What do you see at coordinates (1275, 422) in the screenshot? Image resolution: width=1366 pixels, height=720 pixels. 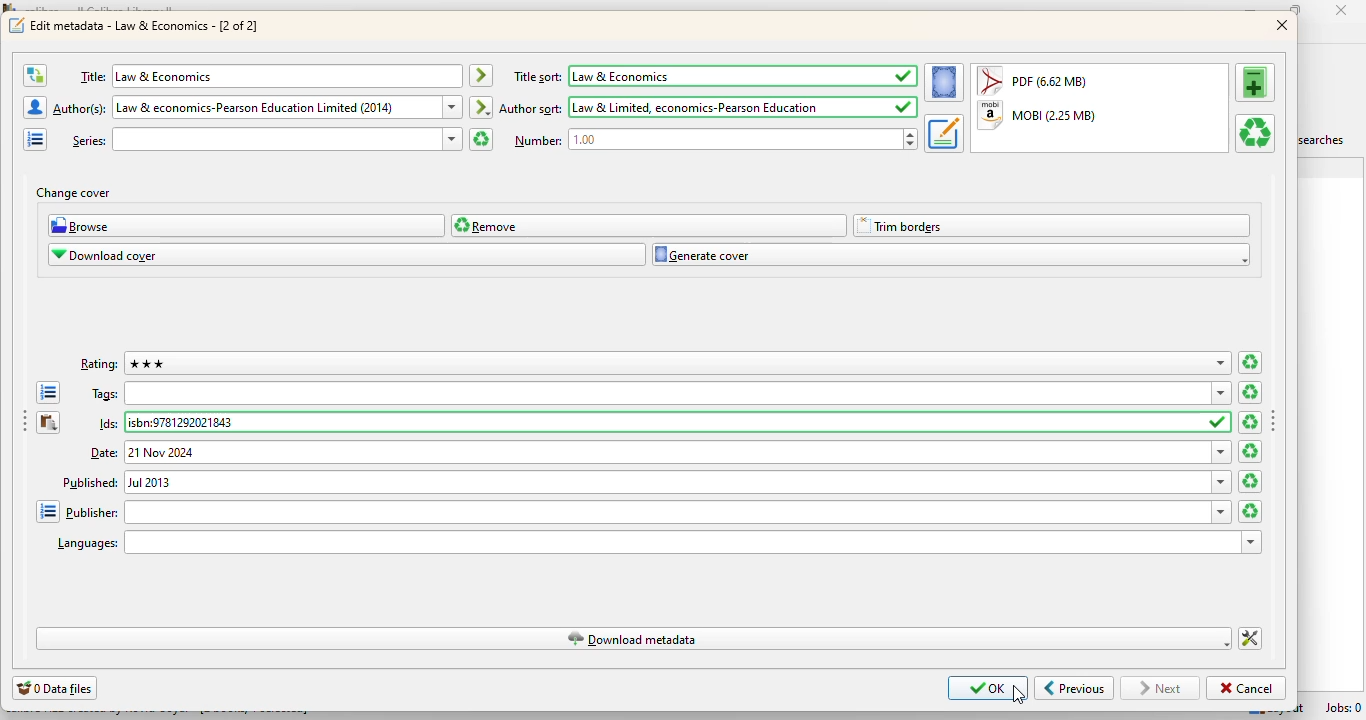 I see `toggle sidebar` at bounding box center [1275, 422].